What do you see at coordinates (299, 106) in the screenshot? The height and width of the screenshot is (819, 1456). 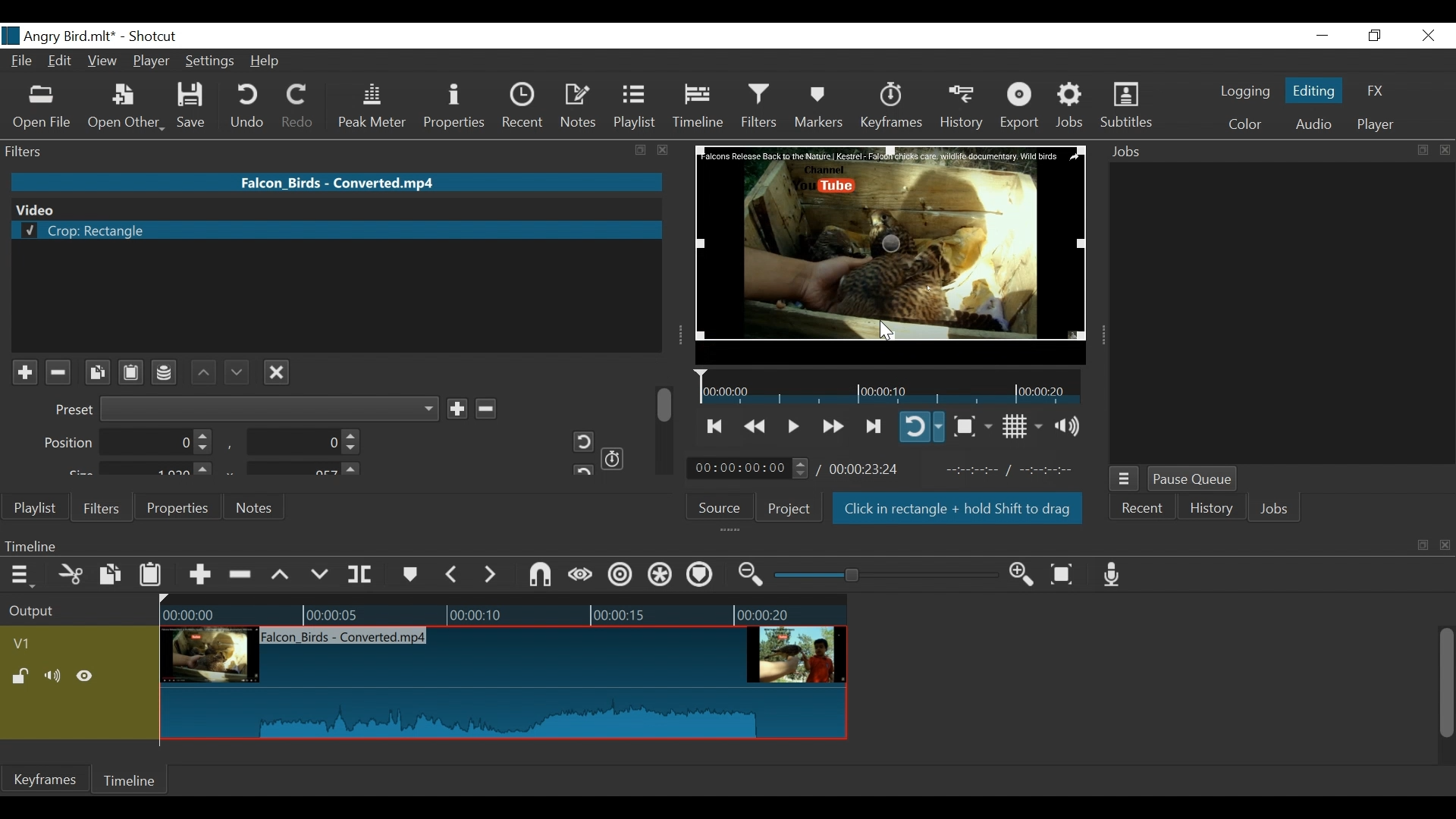 I see `Redo` at bounding box center [299, 106].